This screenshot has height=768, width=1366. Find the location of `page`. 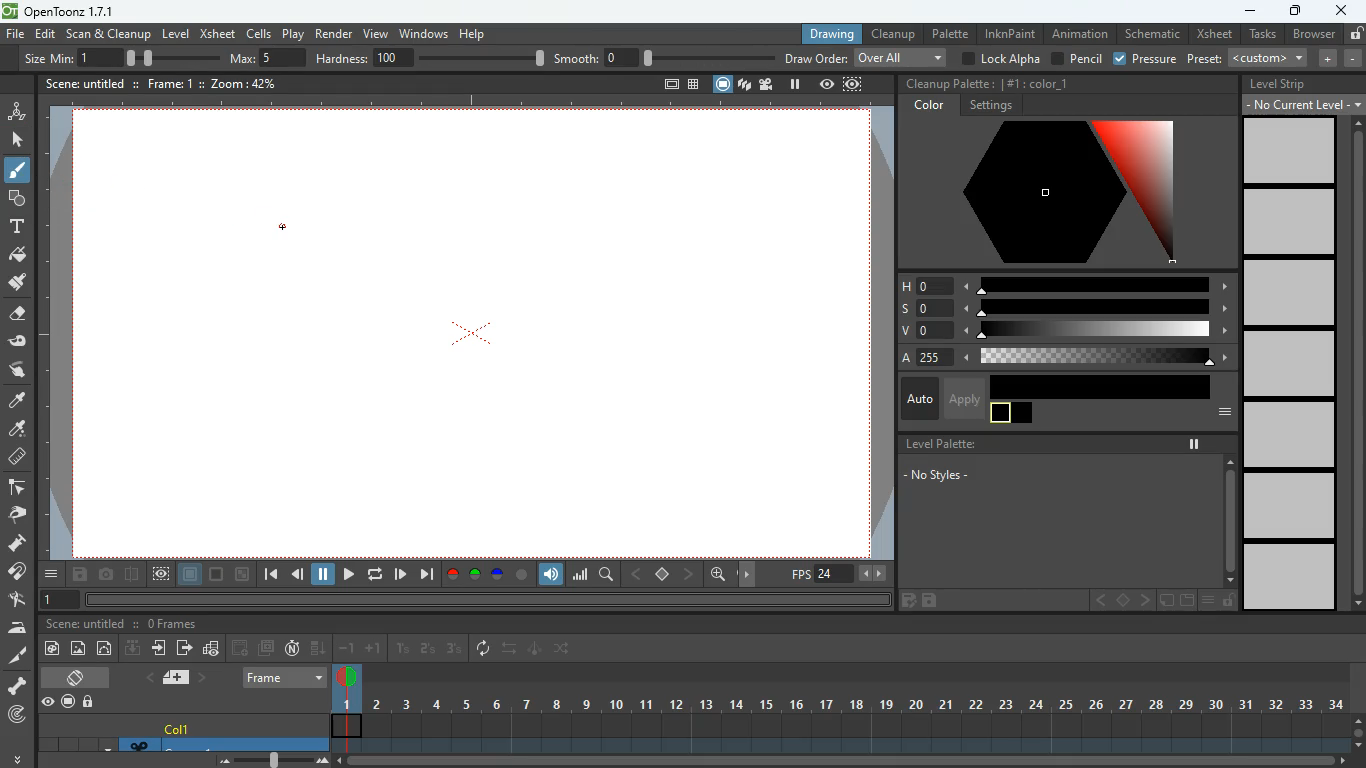

page is located at coordinates (191, 575).